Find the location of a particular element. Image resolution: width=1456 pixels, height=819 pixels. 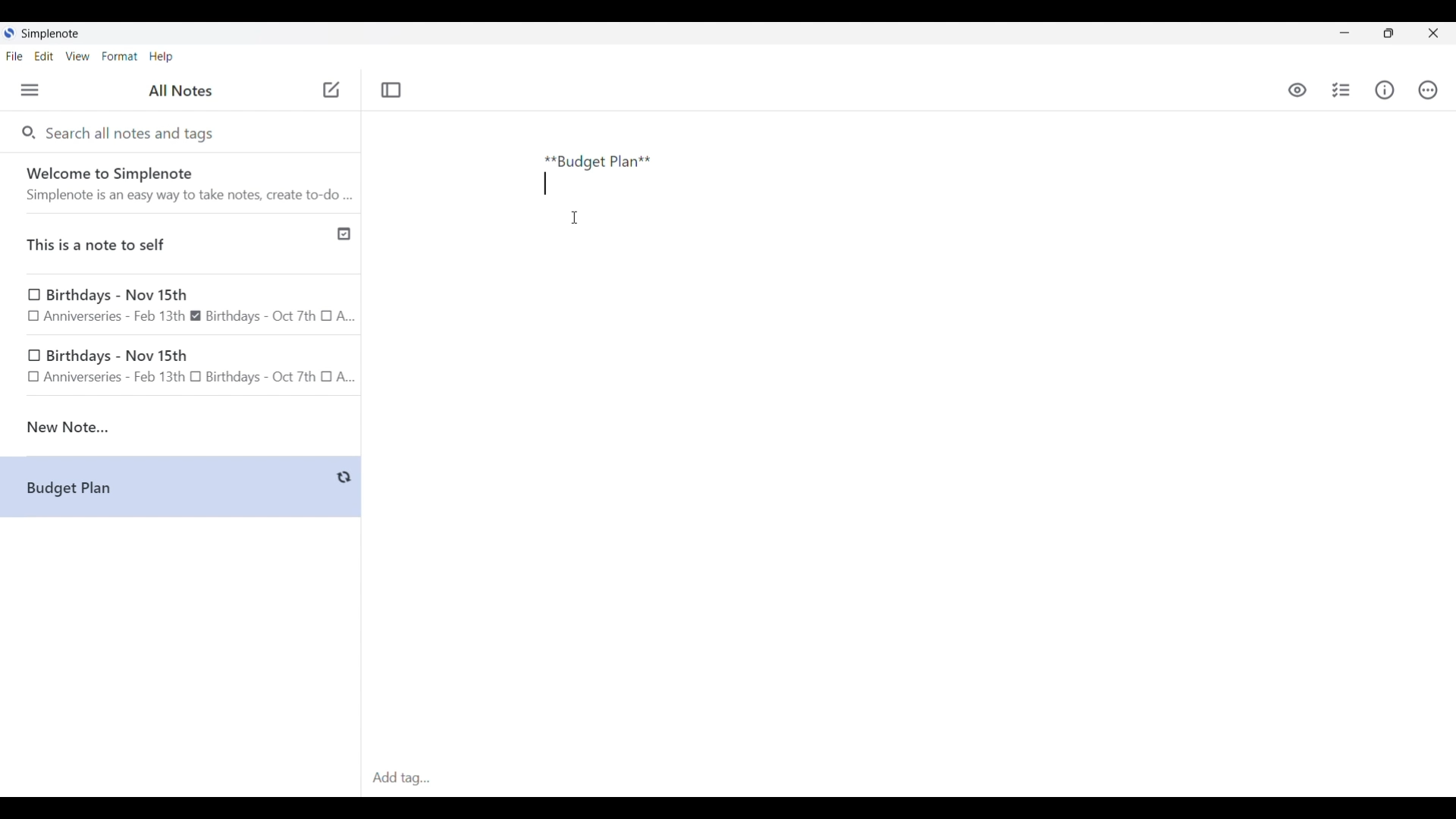

birthday note is located at coordinates (182, 369).